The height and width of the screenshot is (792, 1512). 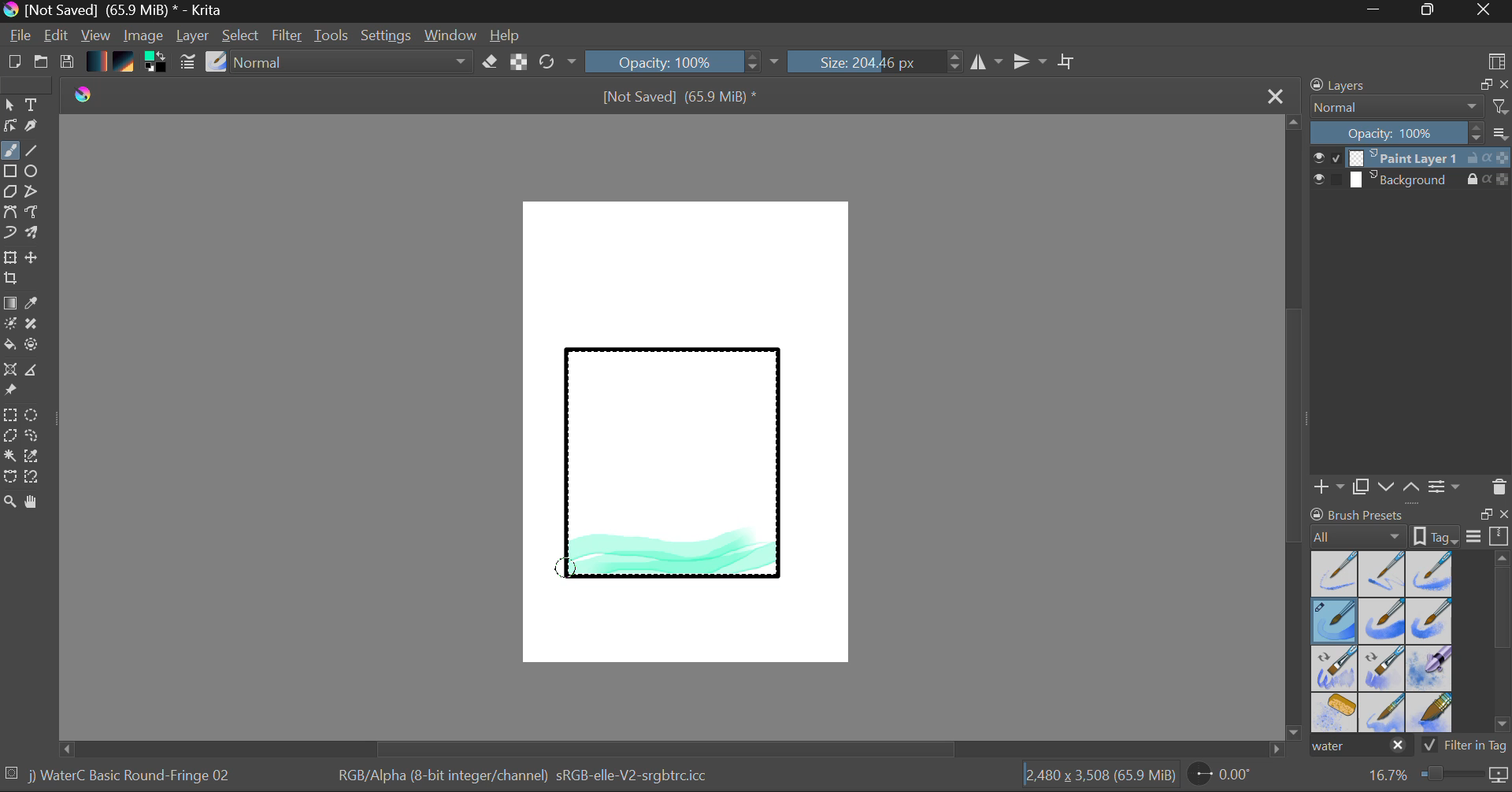 What do you see at coordinates (1382, 667) in the screenshot?
I see `Water C - Decay Tilt` at bounding box center [1382, 667].